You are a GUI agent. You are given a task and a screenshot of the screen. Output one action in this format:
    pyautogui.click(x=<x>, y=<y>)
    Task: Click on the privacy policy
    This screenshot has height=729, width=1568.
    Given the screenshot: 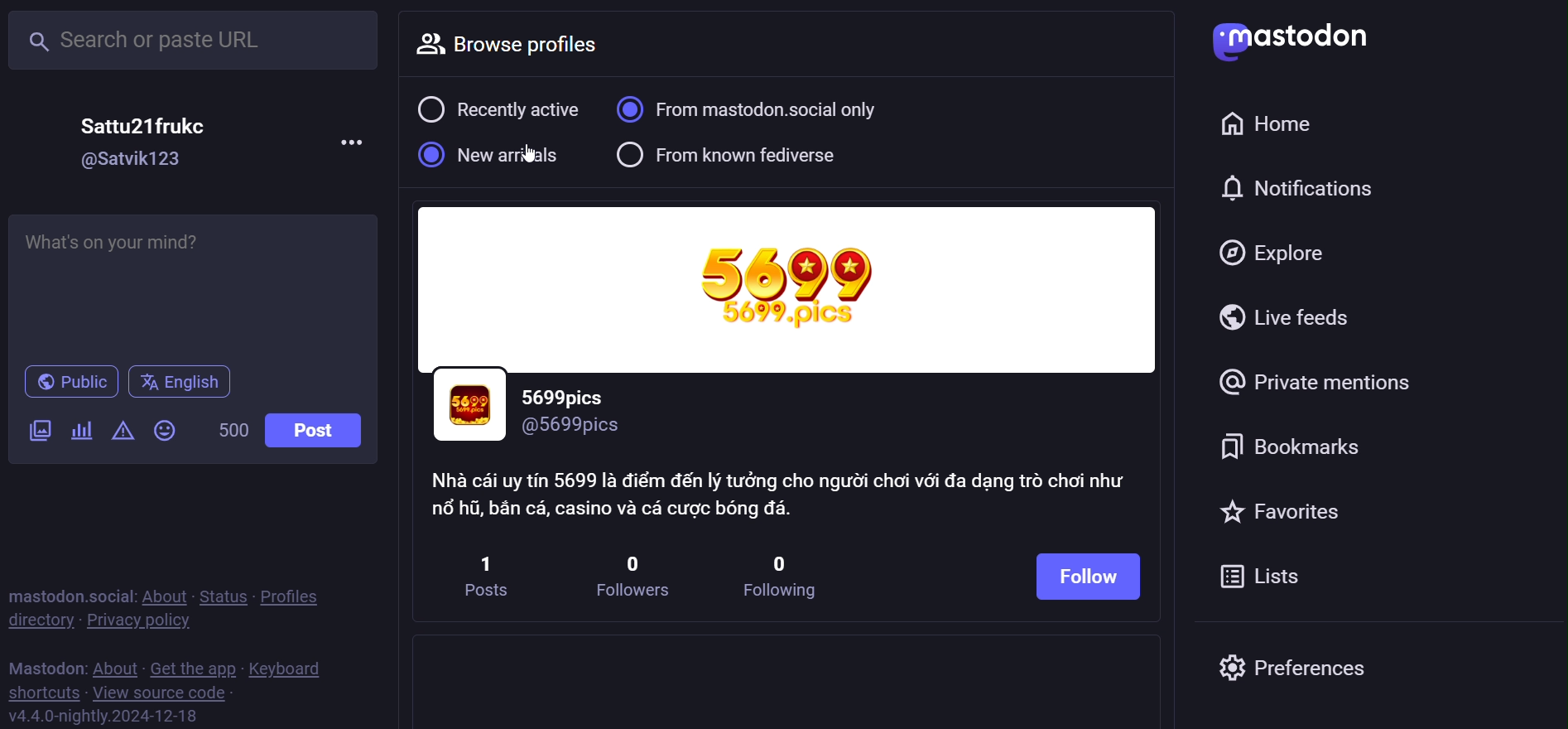 What is the action you would take?
    pyautogui.click(x=137, y=620)
    